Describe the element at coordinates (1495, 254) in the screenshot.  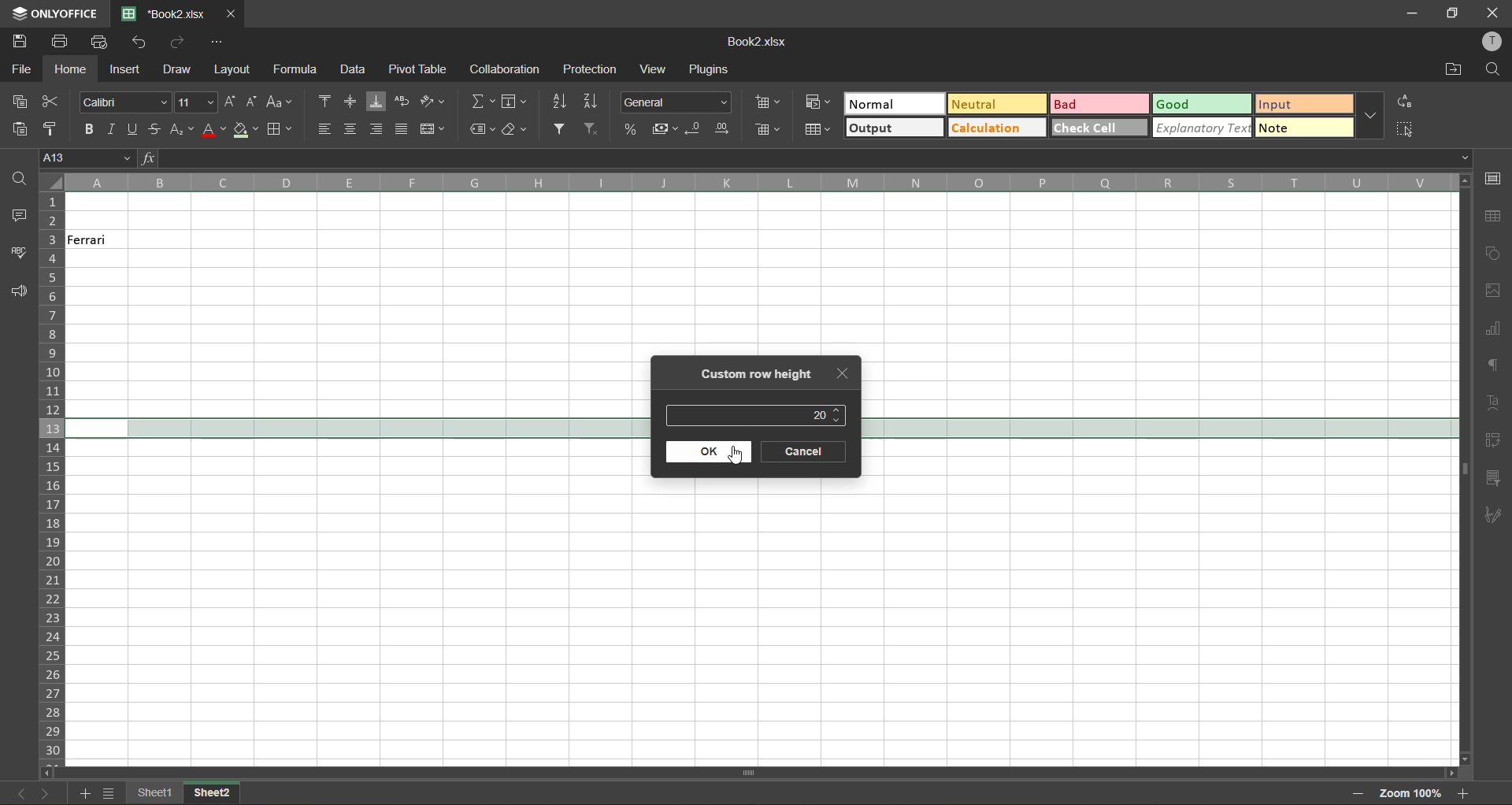
I see `shapes` at that location.